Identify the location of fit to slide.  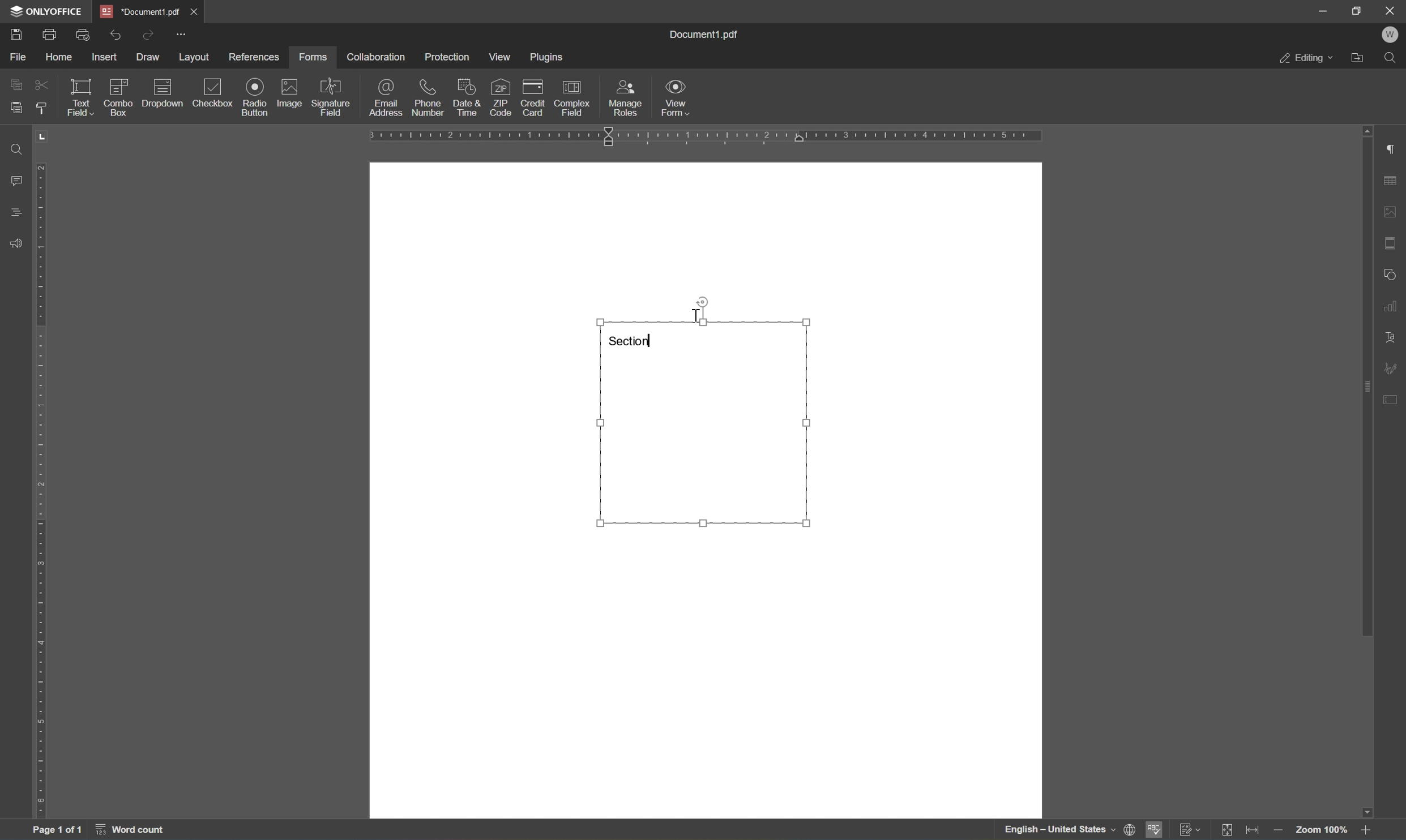
(1228, 830).